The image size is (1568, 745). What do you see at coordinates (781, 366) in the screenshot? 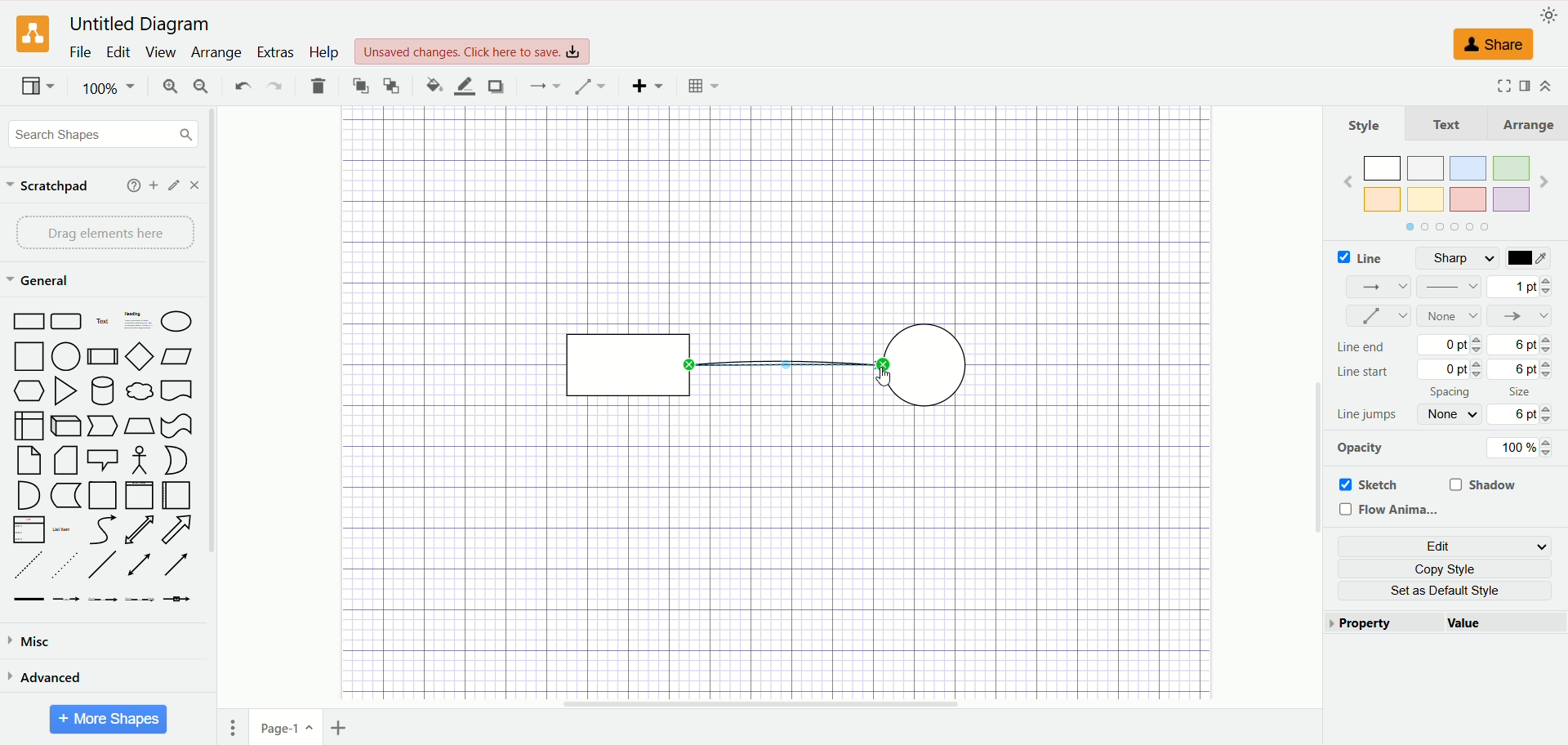
I see `Connector` at bounding box center [781, 366].